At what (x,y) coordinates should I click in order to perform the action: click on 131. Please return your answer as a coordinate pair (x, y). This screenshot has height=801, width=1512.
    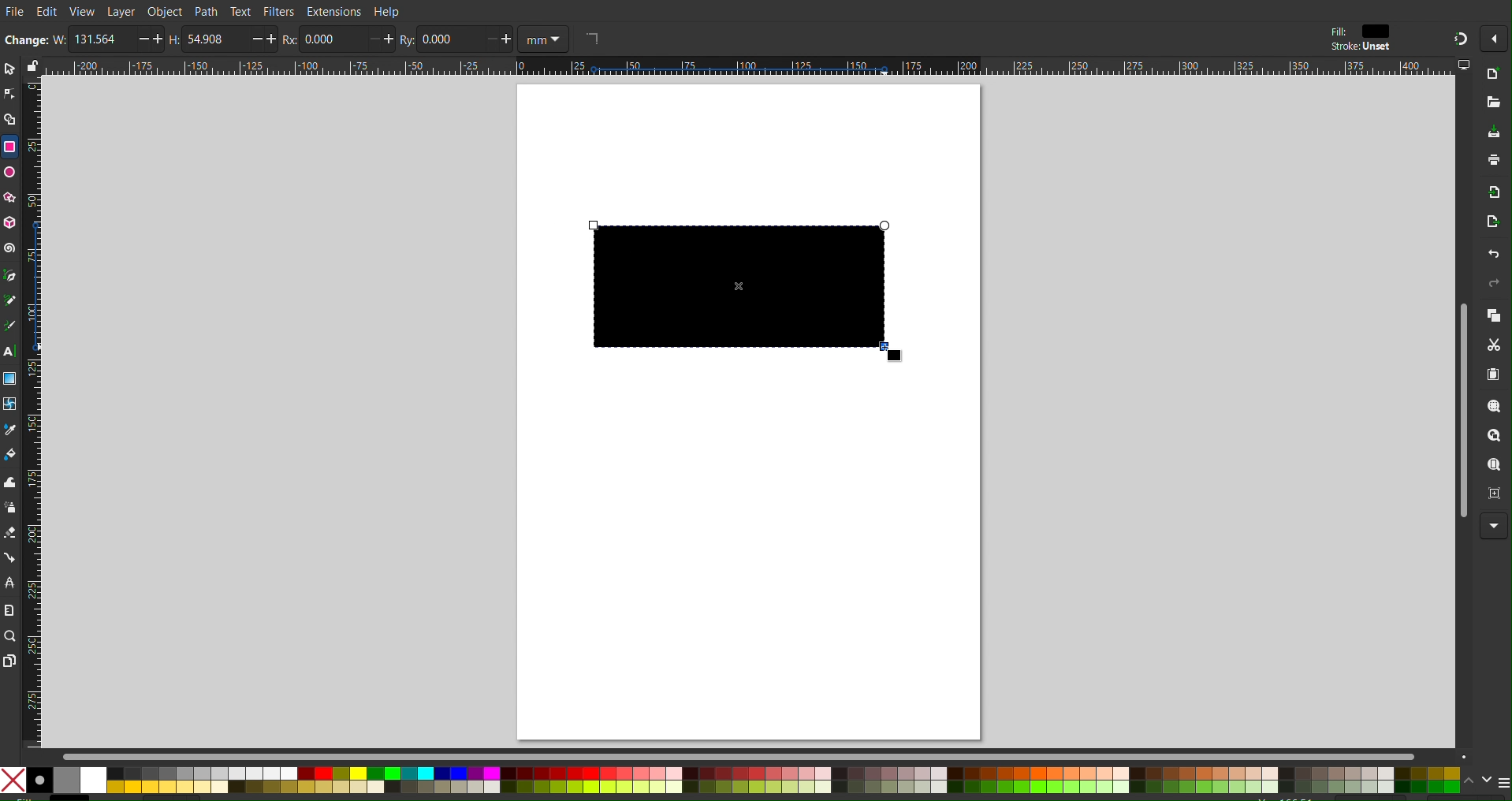
    Looking at the image, I should click on (102, 39).